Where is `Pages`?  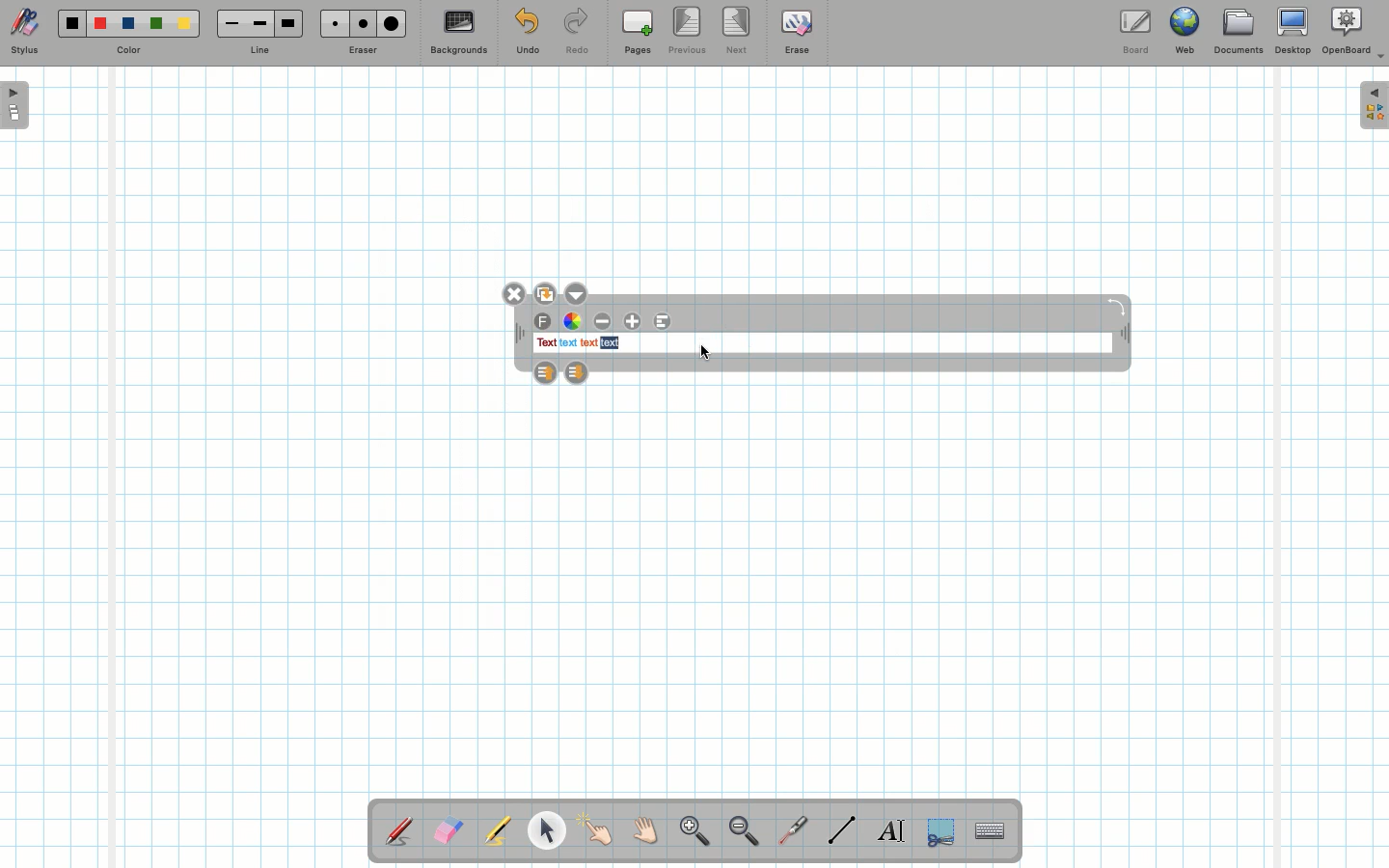
Pages is located at coordinates (638, 34).